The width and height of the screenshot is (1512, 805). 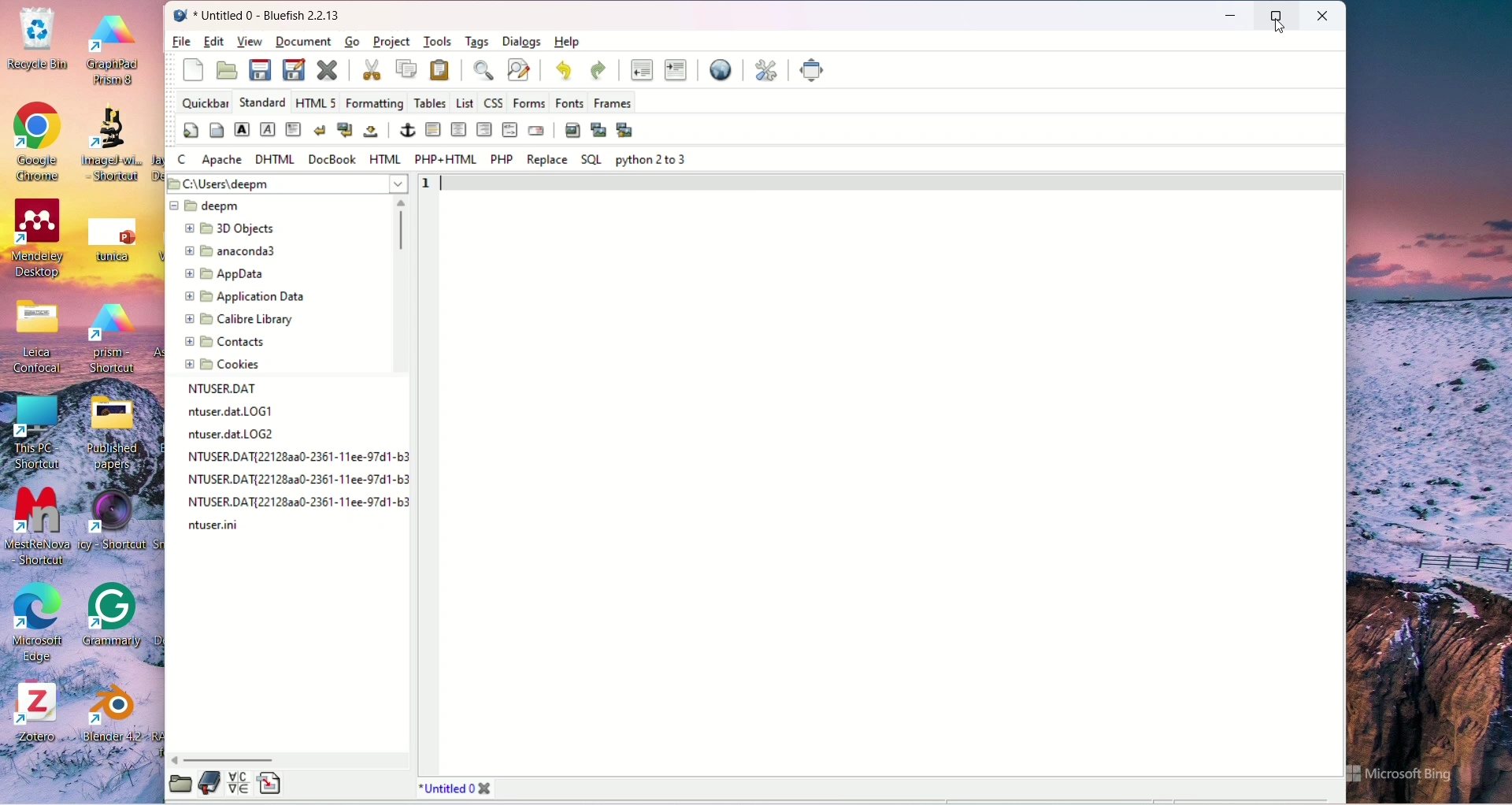 I want to click on cut, so click(x=372, y=69).